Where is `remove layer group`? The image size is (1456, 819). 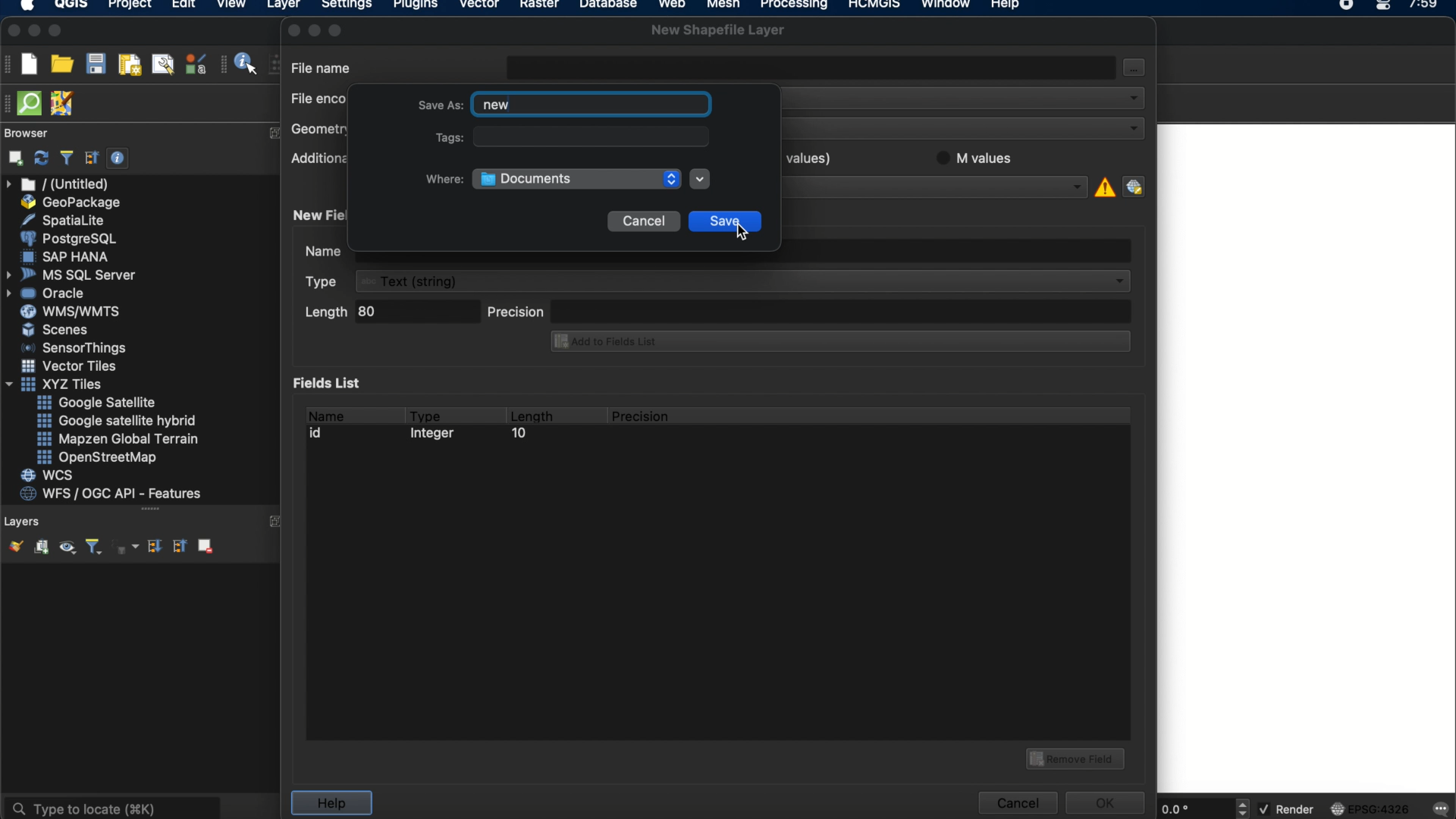 remove layer group is located at coordinates (204, 545).